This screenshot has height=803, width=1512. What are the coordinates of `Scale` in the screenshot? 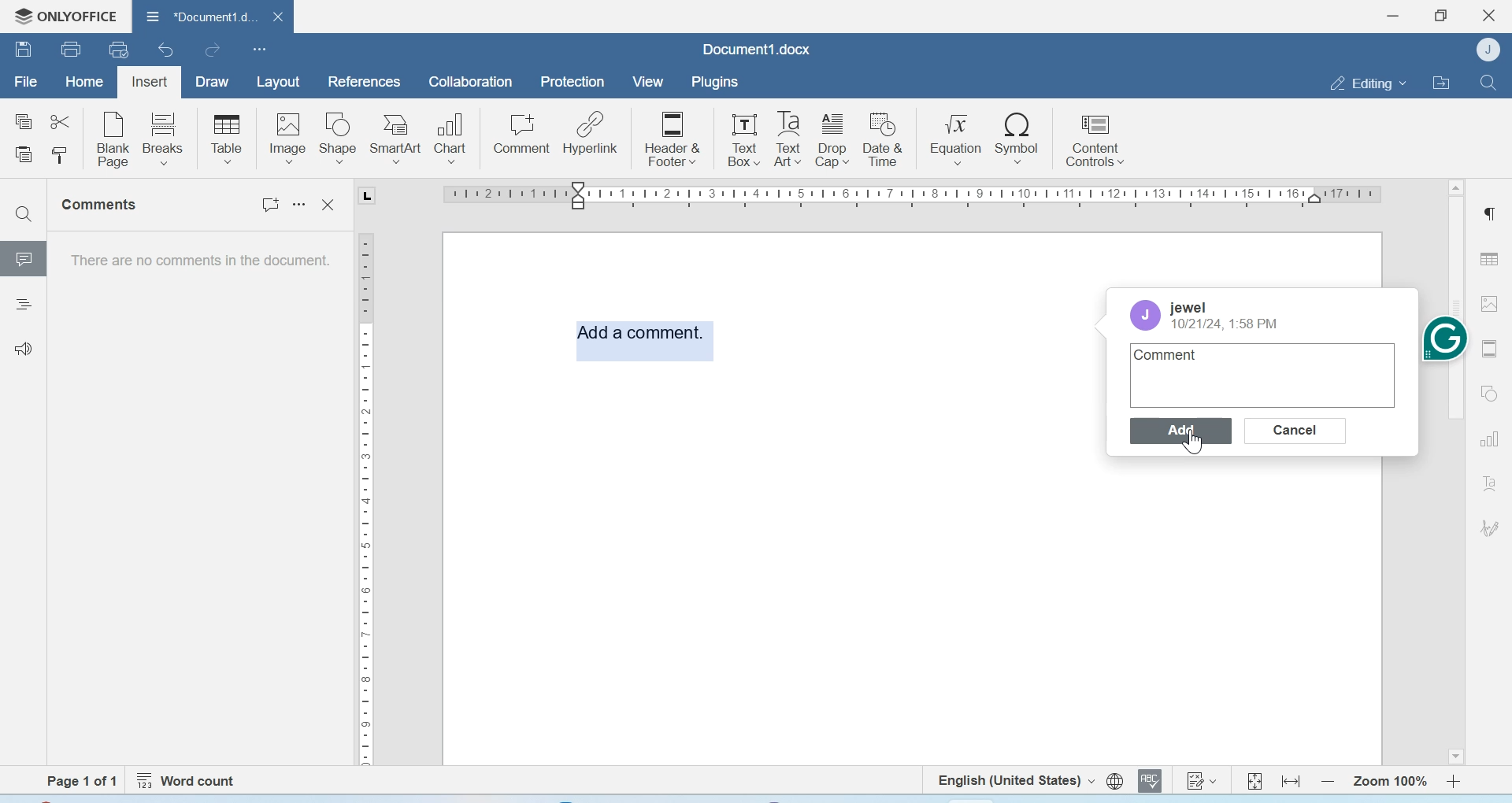 It's located at (907, 198).